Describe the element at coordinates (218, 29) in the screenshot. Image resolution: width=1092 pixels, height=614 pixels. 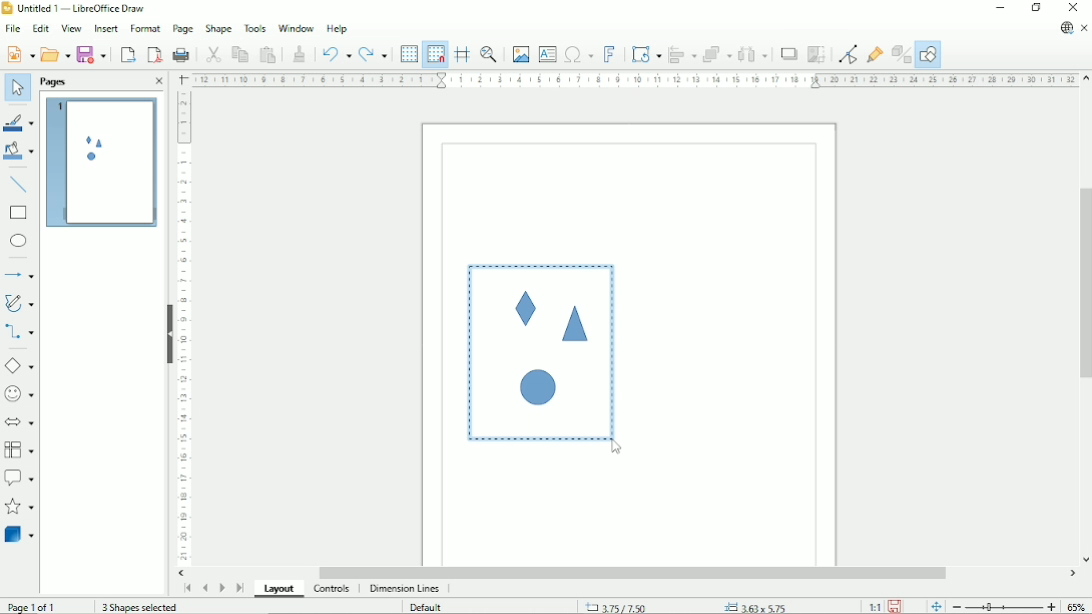
I see `Shape` at that location.